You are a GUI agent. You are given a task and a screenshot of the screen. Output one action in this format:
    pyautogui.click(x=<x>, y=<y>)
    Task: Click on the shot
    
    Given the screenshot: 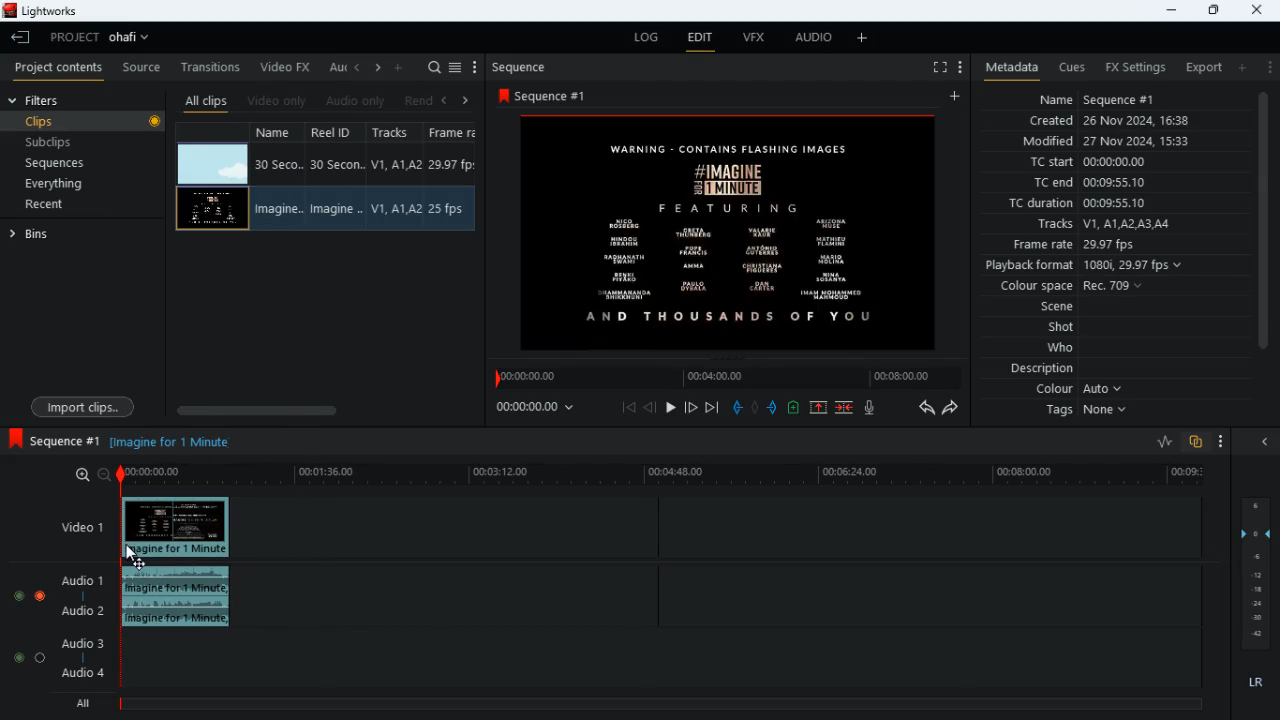 What is the action you would take?
    pyautogui.click(x=1061, y=328)
    